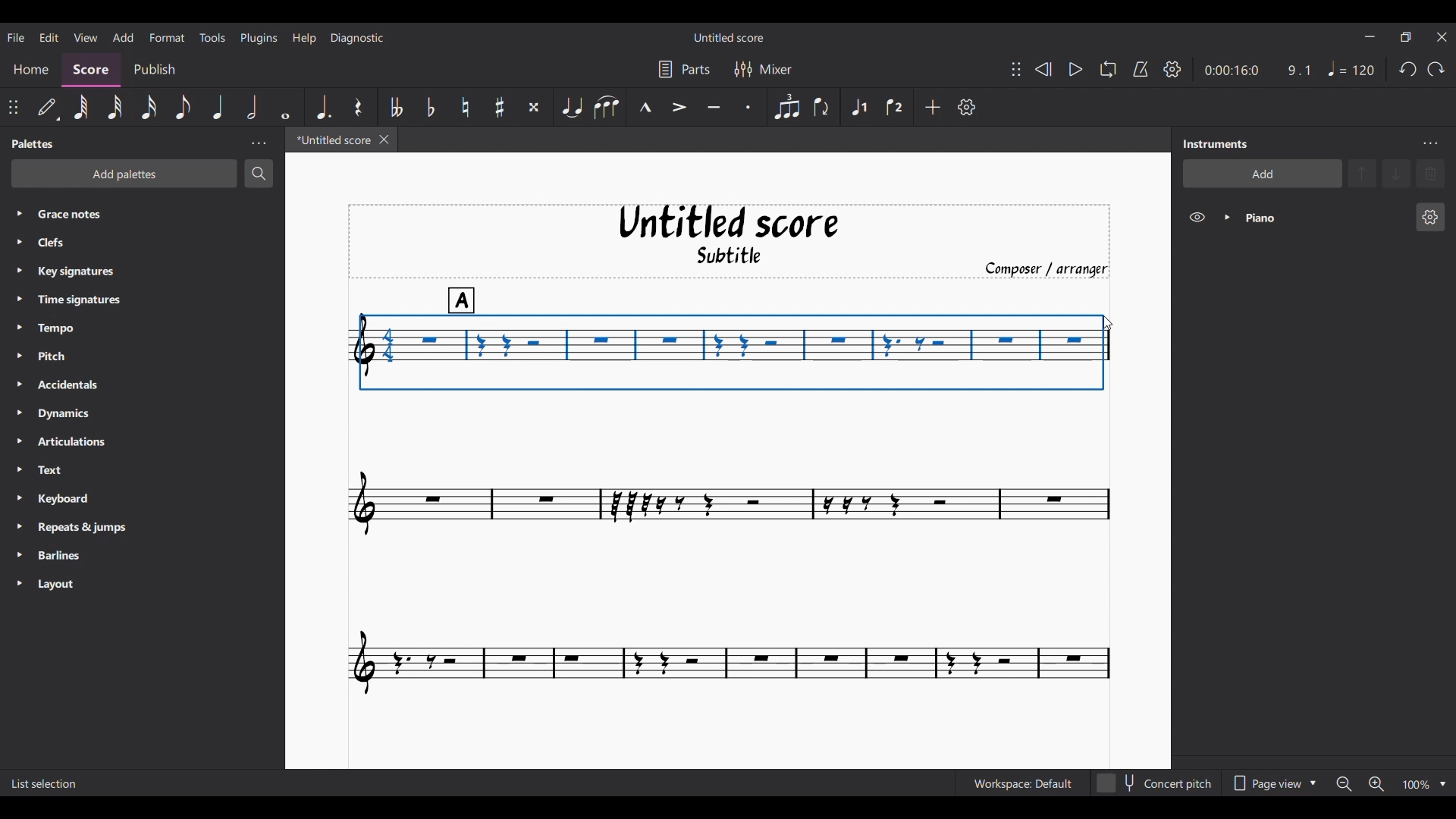 This screenshot has height=819, width=1456. I want to click on Add, so click(933, 107).